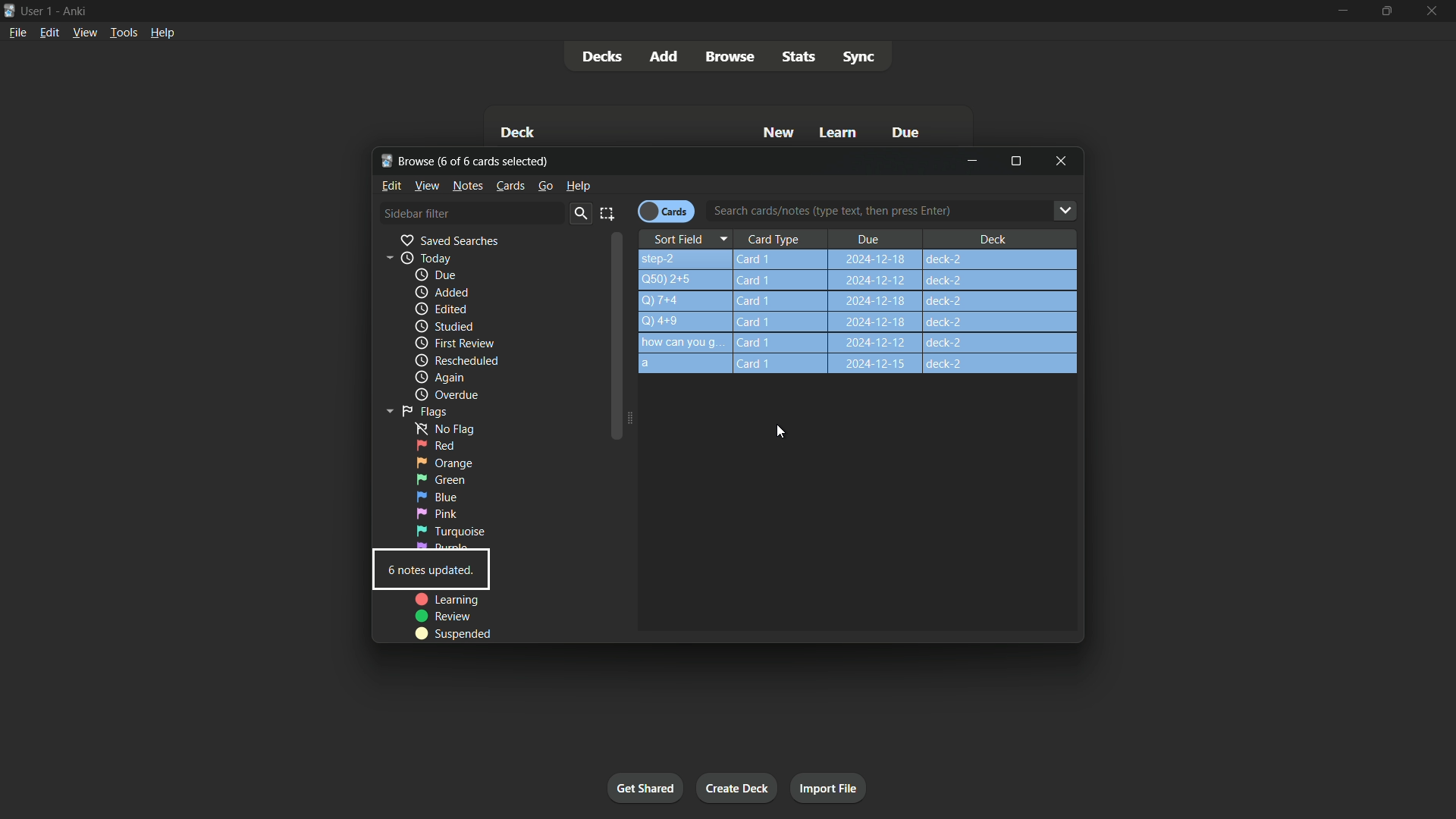 This screenshot has width=1456, height=819. I want to click on View menu, so click(84, 33).